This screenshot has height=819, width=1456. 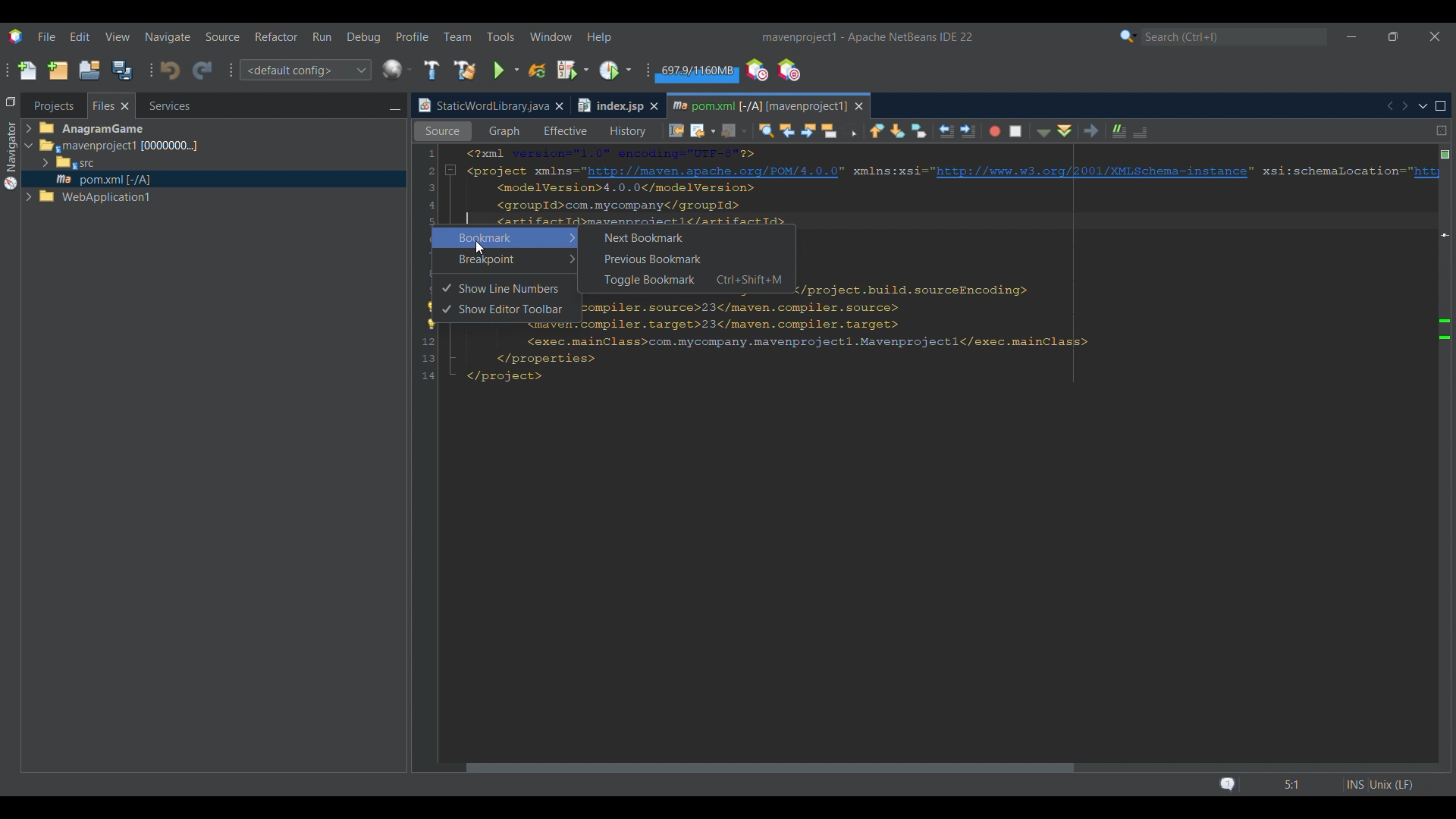 What do you see at coordinates (551, 36) in the screenshot?
I see `Window menu` at bounding box center [551, 36].